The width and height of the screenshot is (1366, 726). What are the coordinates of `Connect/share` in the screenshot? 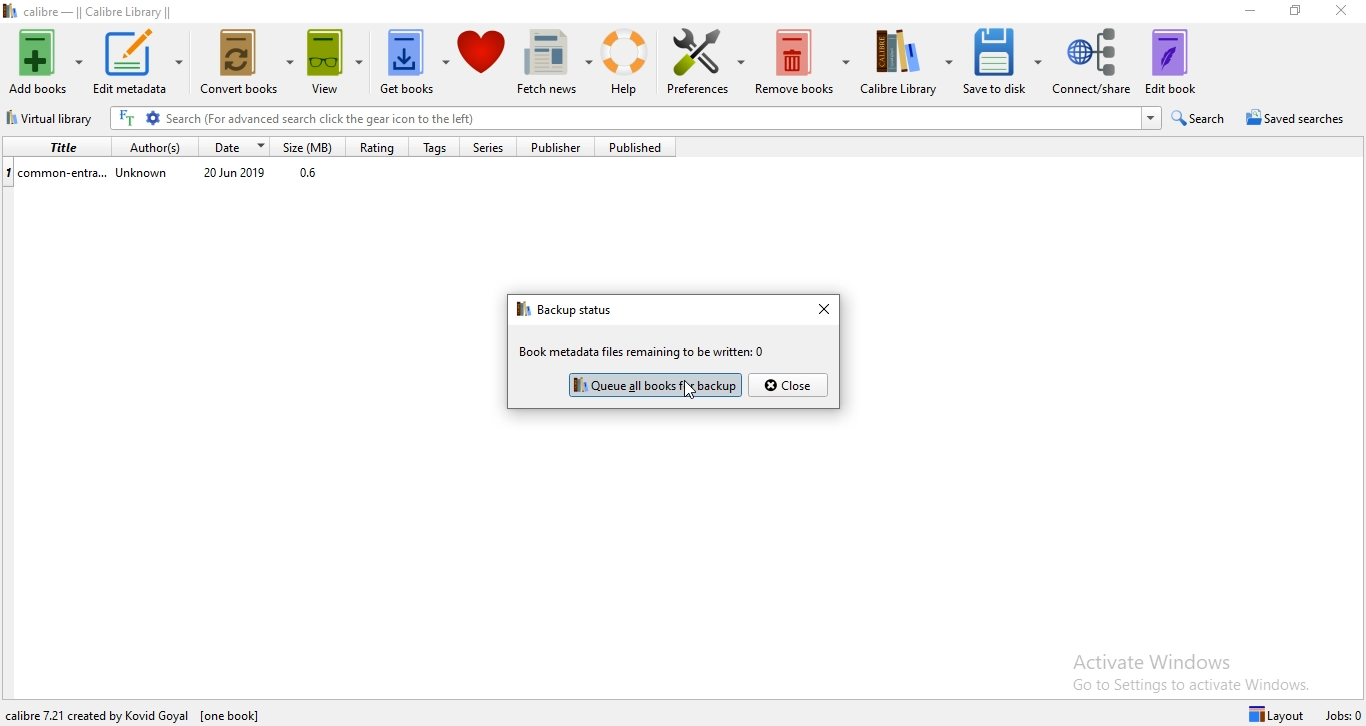 It's located at (1093, 62).